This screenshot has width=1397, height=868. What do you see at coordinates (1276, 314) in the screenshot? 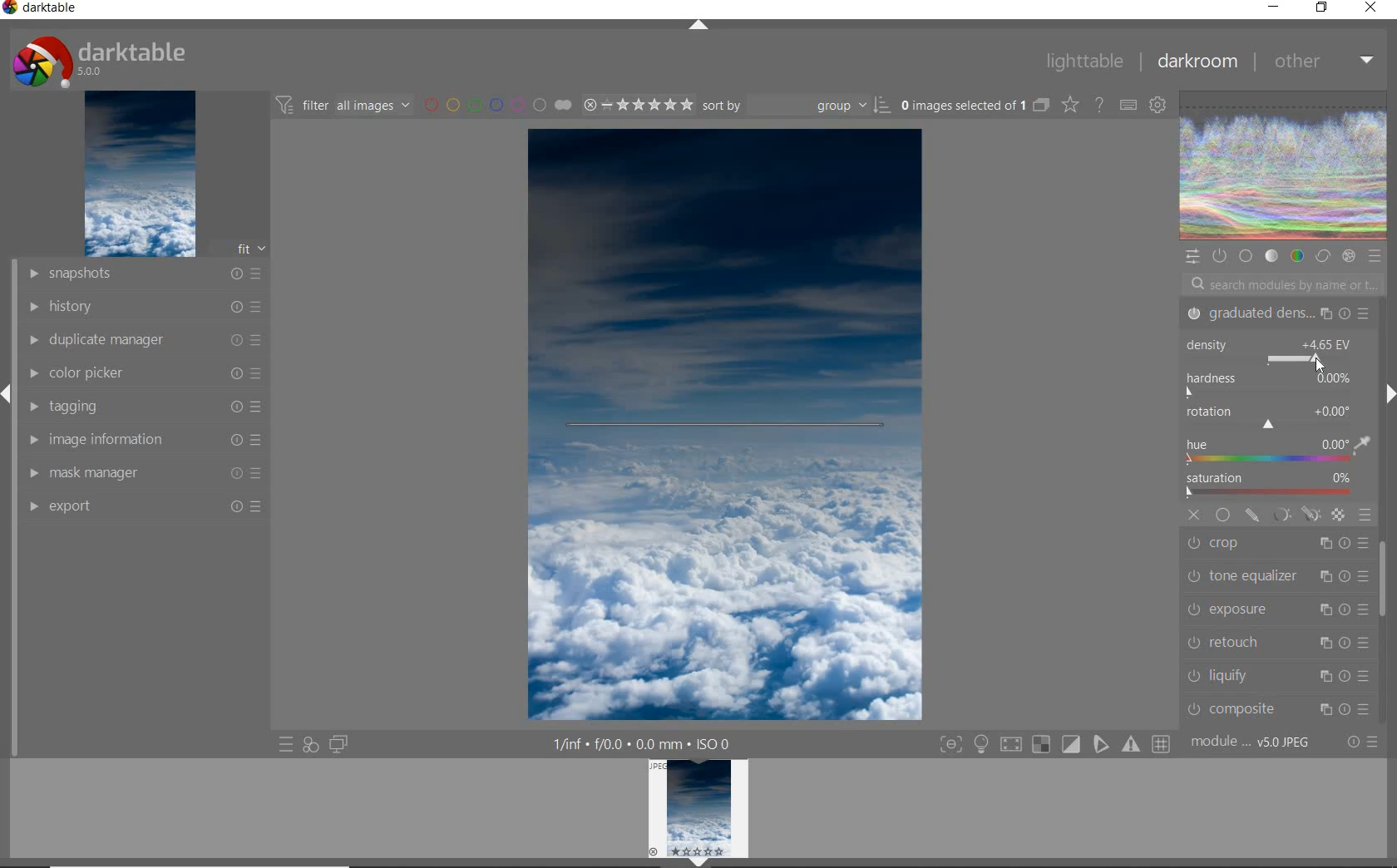
I see `GRADUATED DENSITY` at bounding box center [1276, 314].